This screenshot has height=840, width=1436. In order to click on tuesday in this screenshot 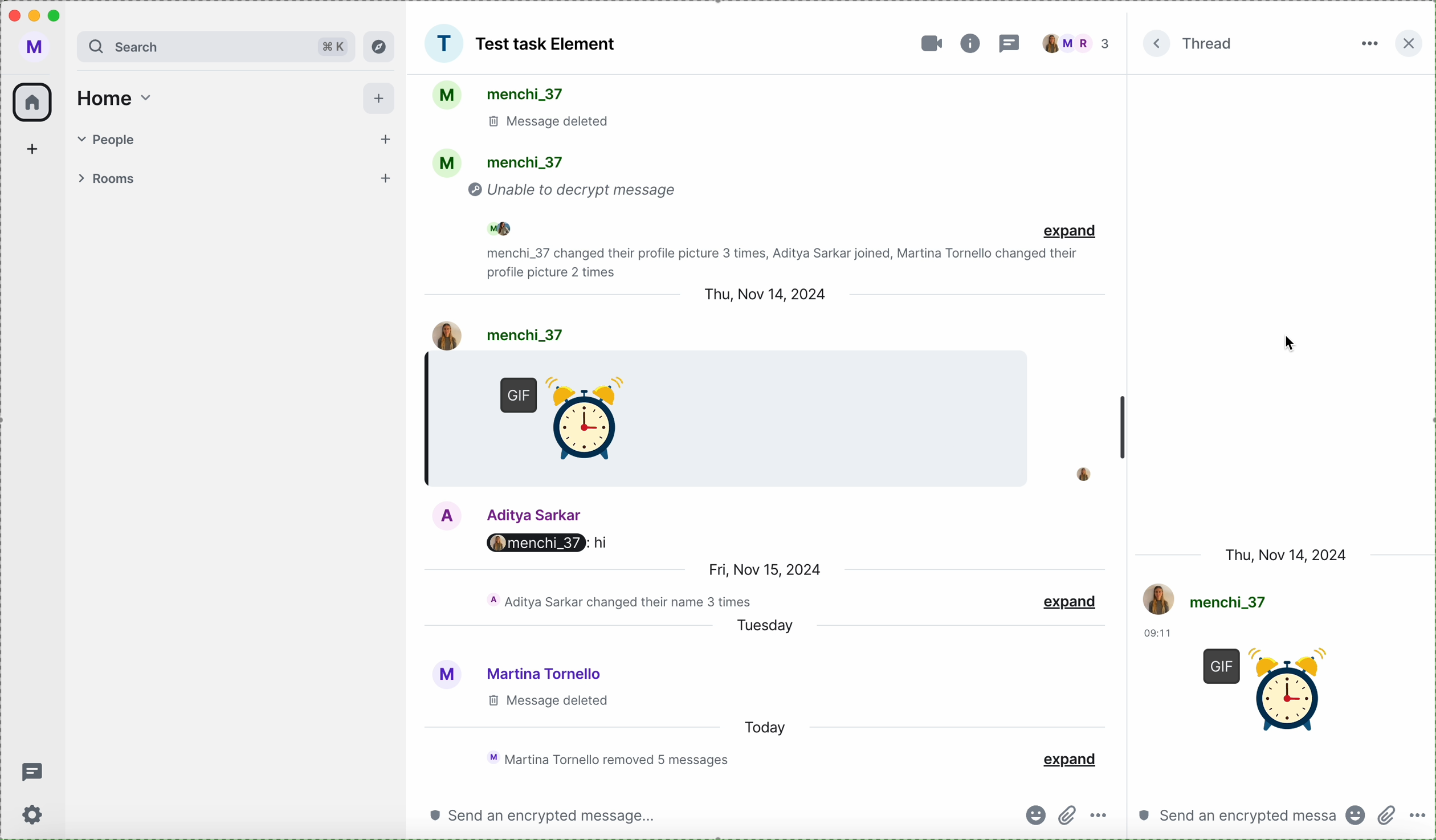, I will do `click(771, 626)`.